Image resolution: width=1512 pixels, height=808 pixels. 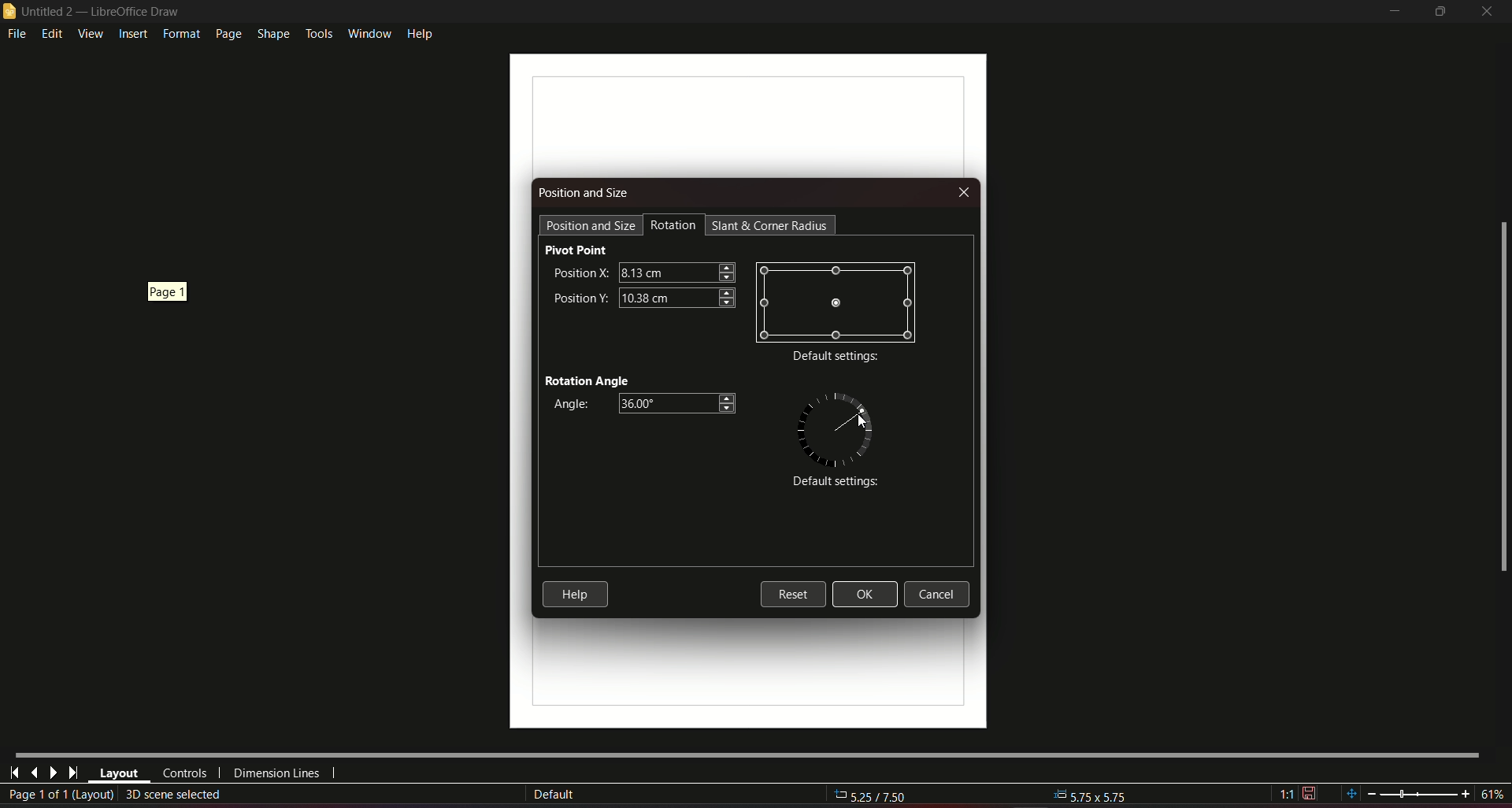 What do you see at coordinates (576, 250) in the screenshot?
I see `Pivot Point` at bounding box center [576, 250].